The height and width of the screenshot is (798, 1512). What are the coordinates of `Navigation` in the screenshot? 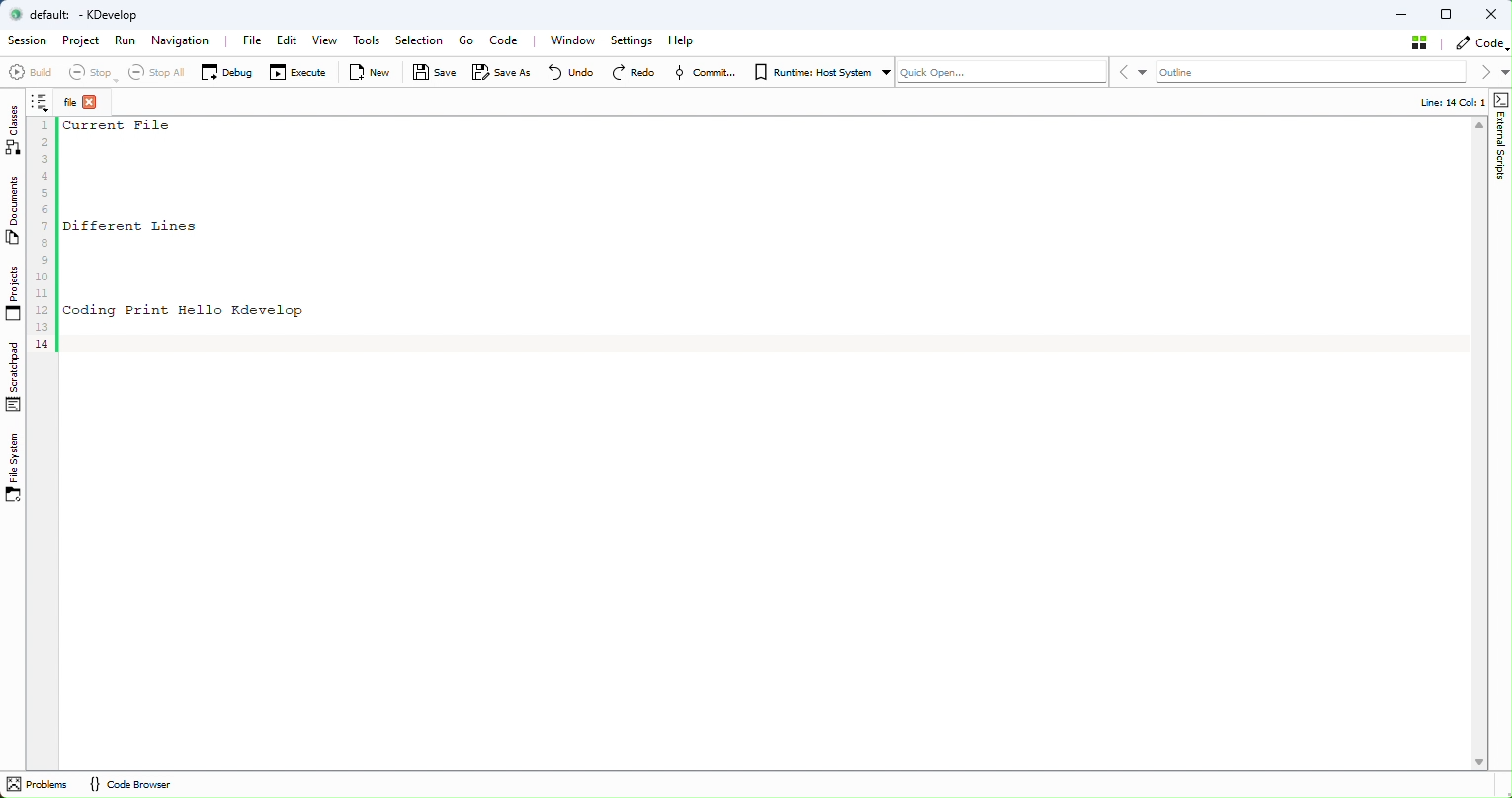 It's located at (184, 41).